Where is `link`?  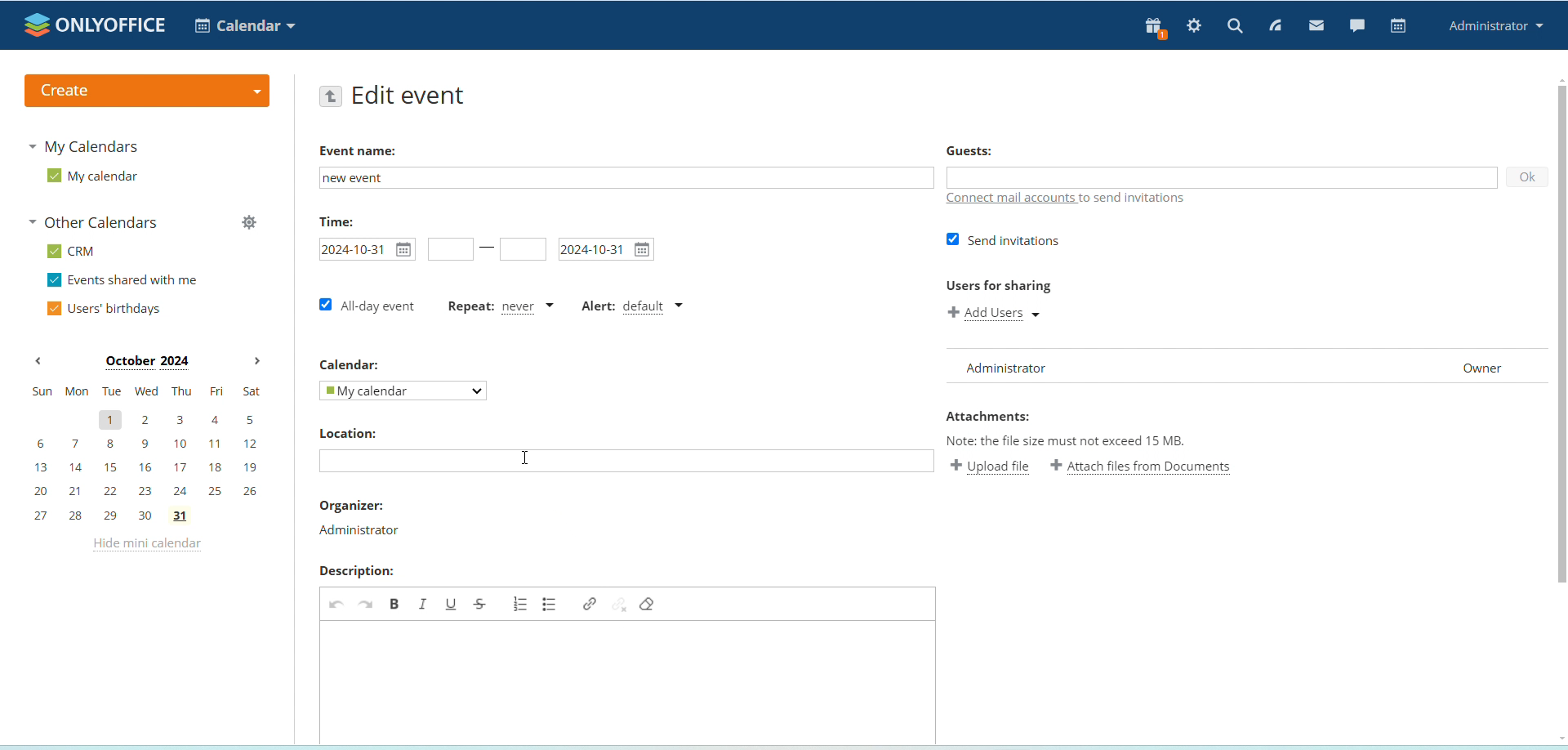
link is located at coordinates (588, 604).